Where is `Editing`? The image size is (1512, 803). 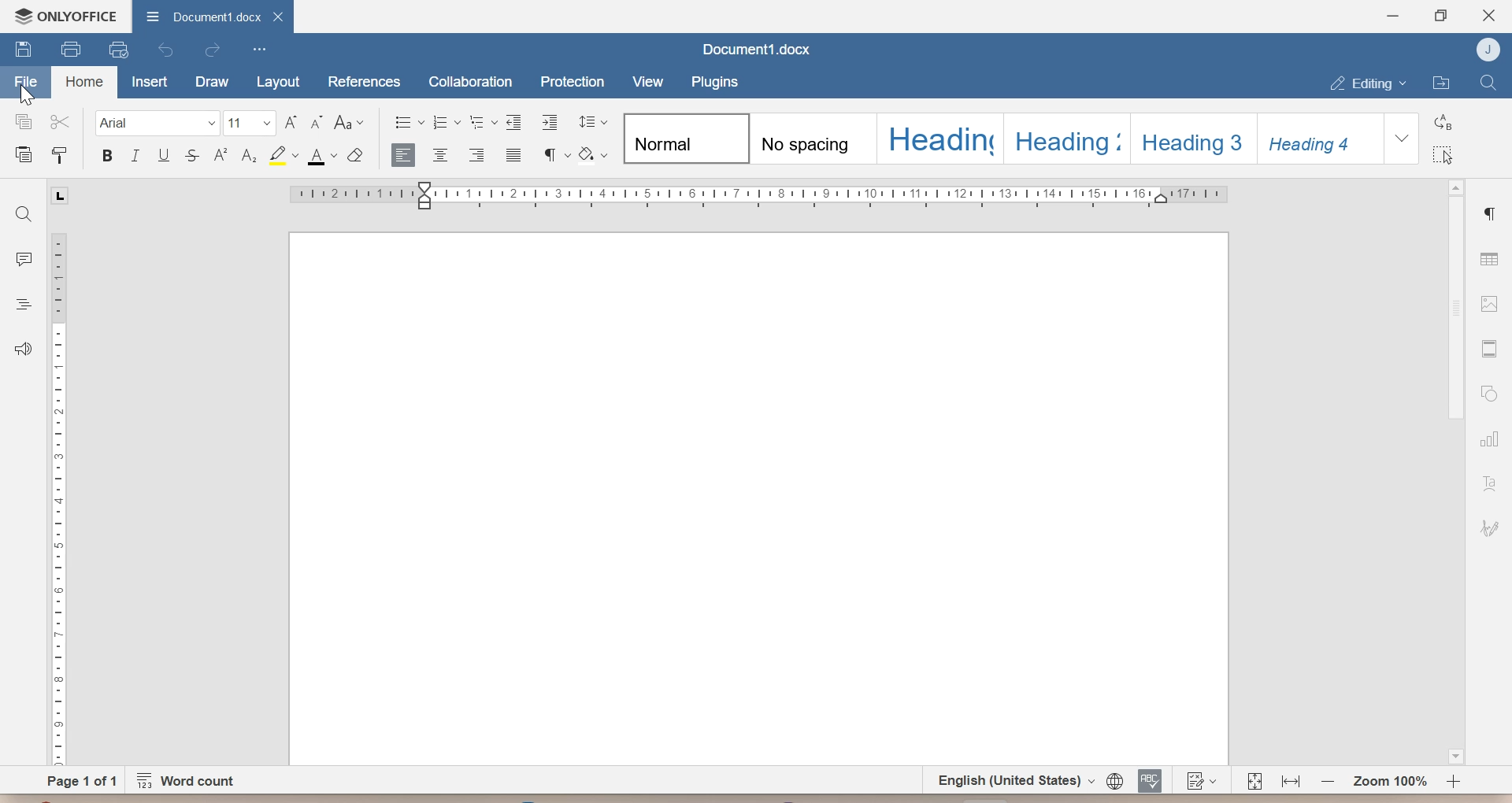
Editing is located at coordinates (1368, 83).